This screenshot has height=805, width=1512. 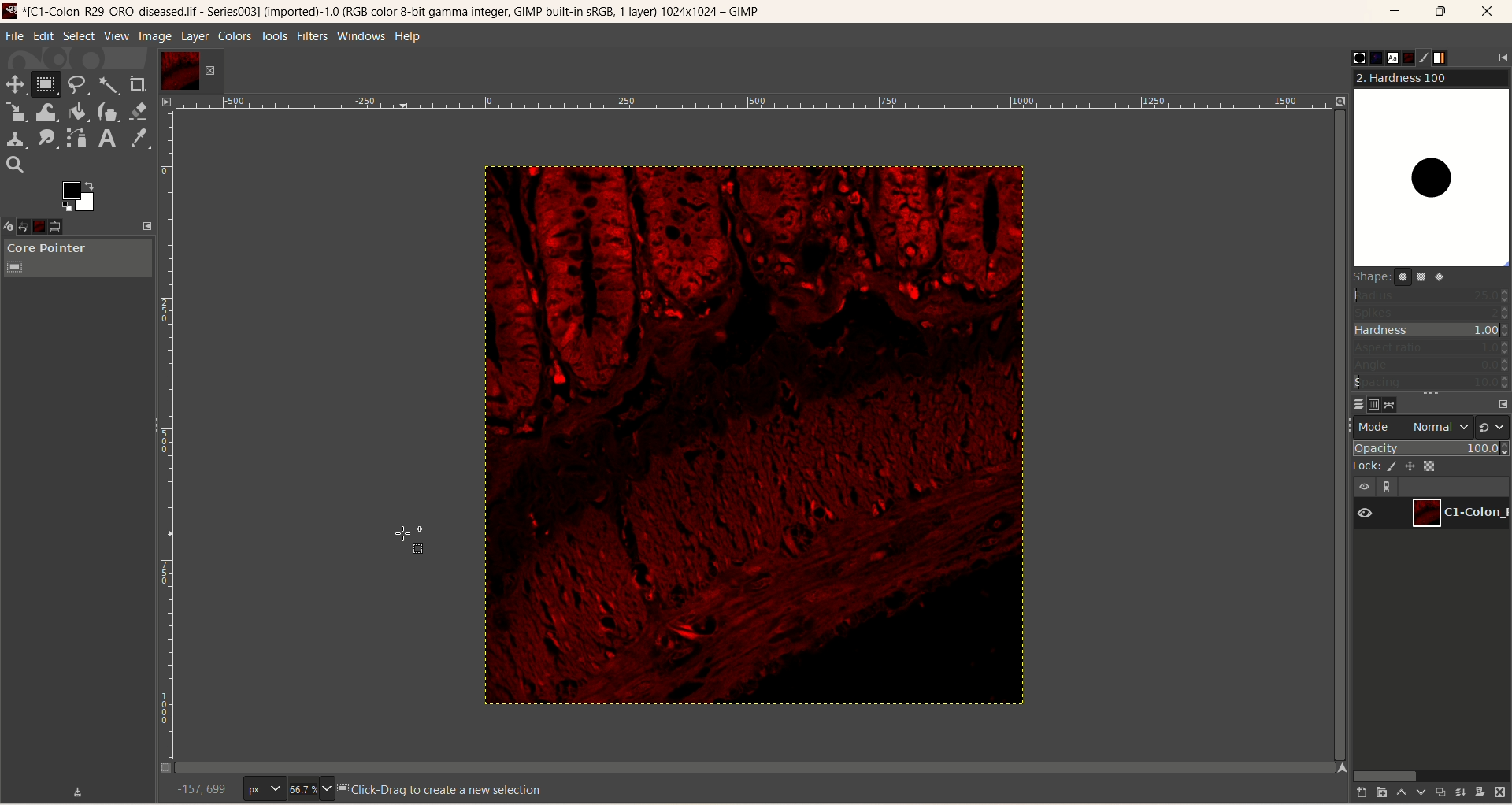 What do you see at coordinates (1427, 57) in the screenshot?
I see `brush editor` at bounding box center [1427, 57].